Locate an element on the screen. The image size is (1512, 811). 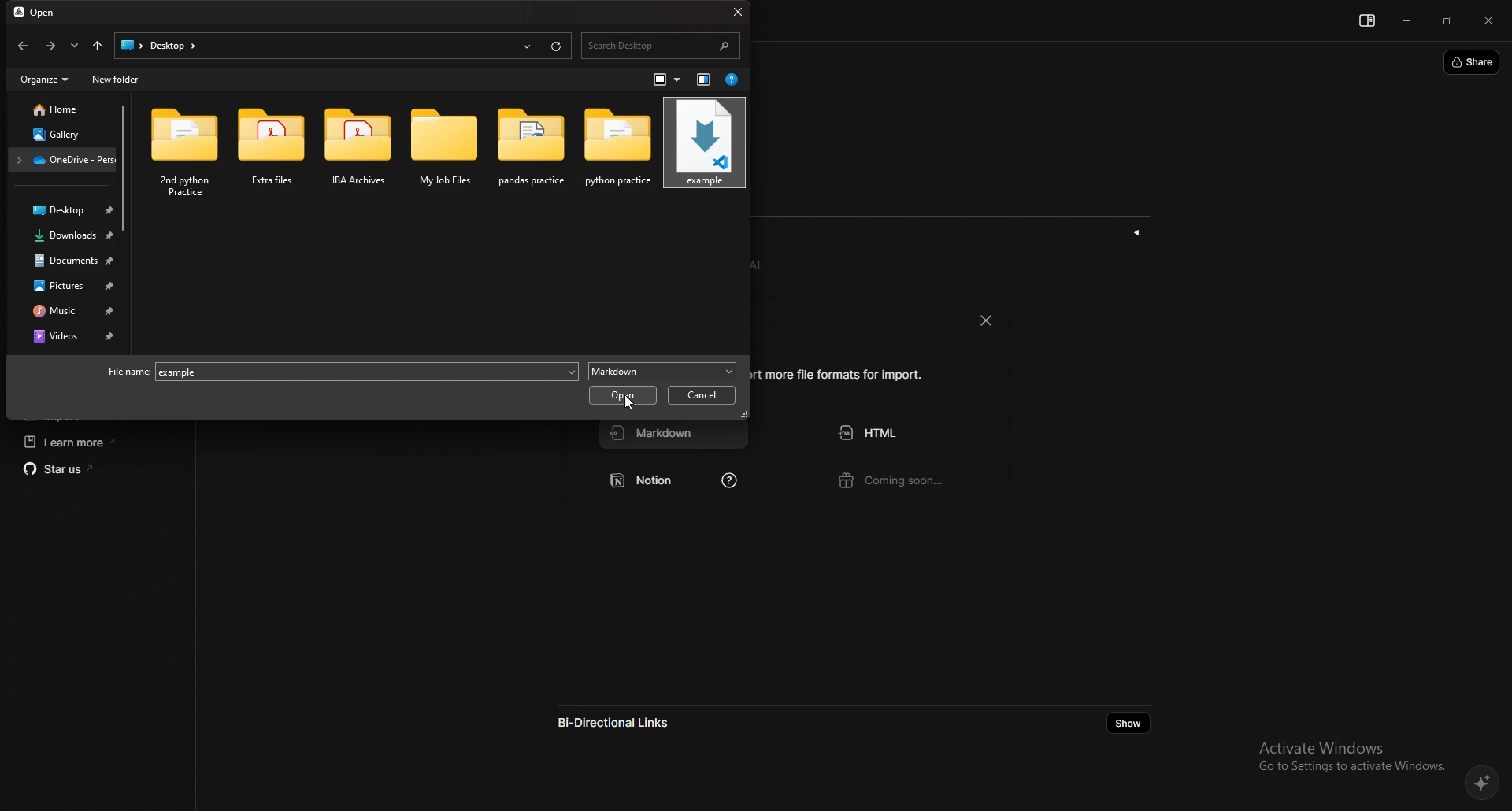
show is located at coordinates (1127, 723).